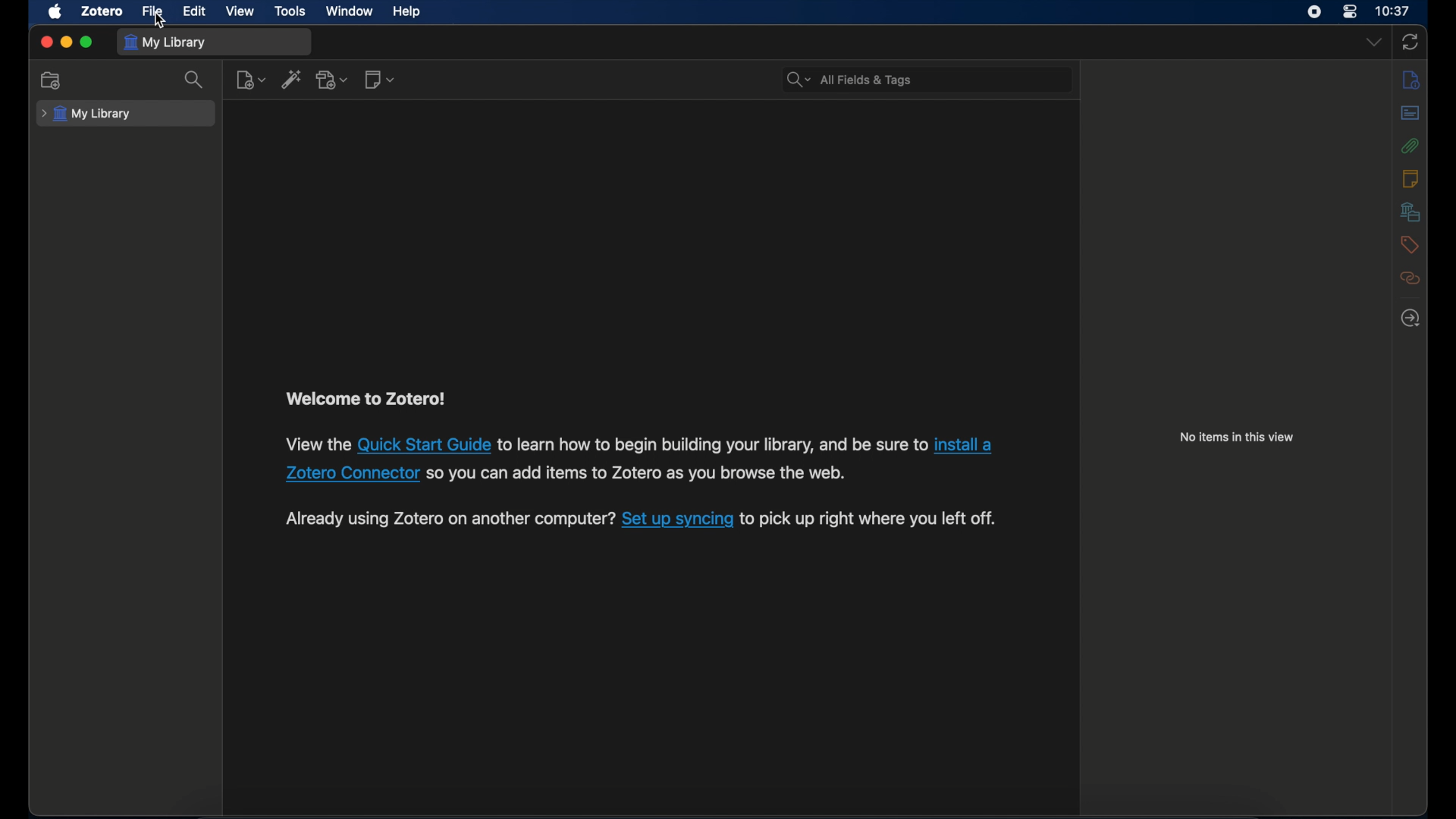 The image size is (1456, 819). I want to click on software information, so click(449, 518).